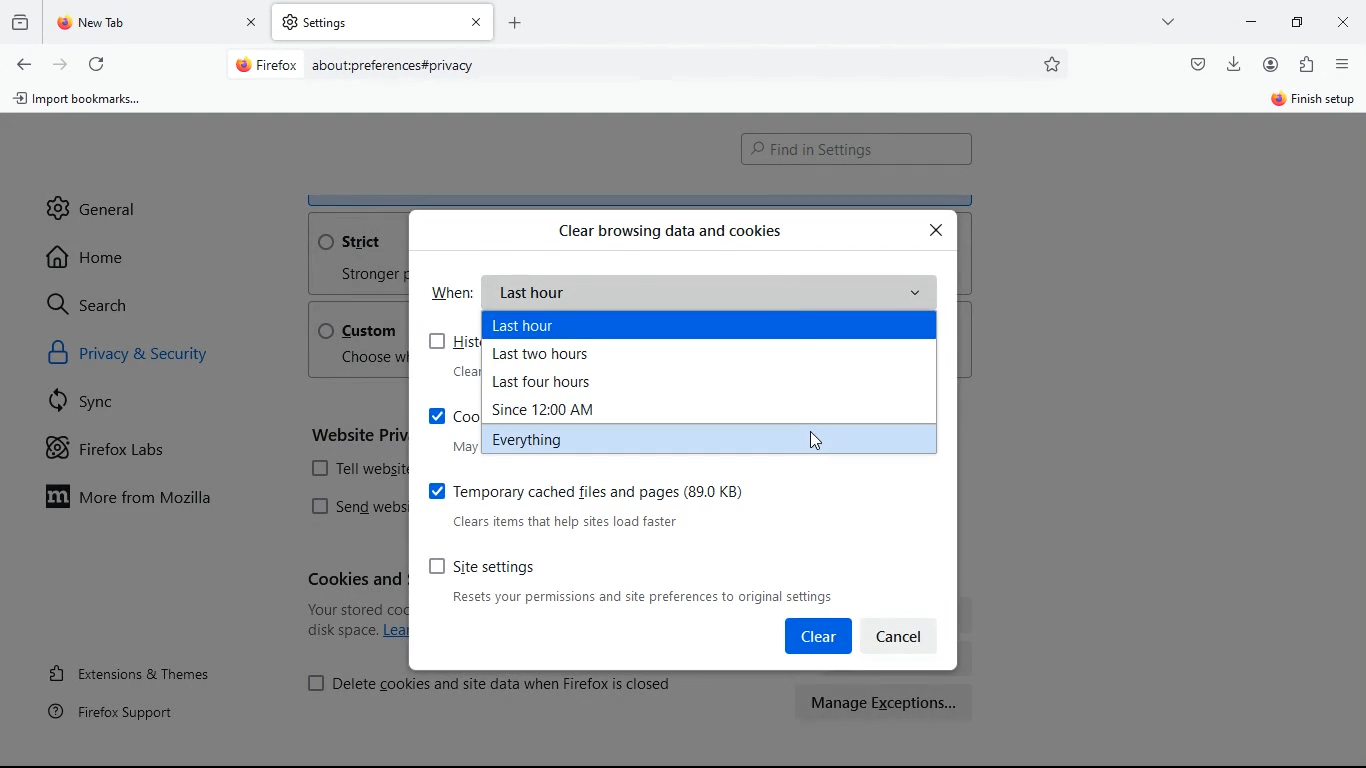  What do you see at coordinates (818, 440) in the screenshot?
I see `Cursor` at bounding box center [818, 440].